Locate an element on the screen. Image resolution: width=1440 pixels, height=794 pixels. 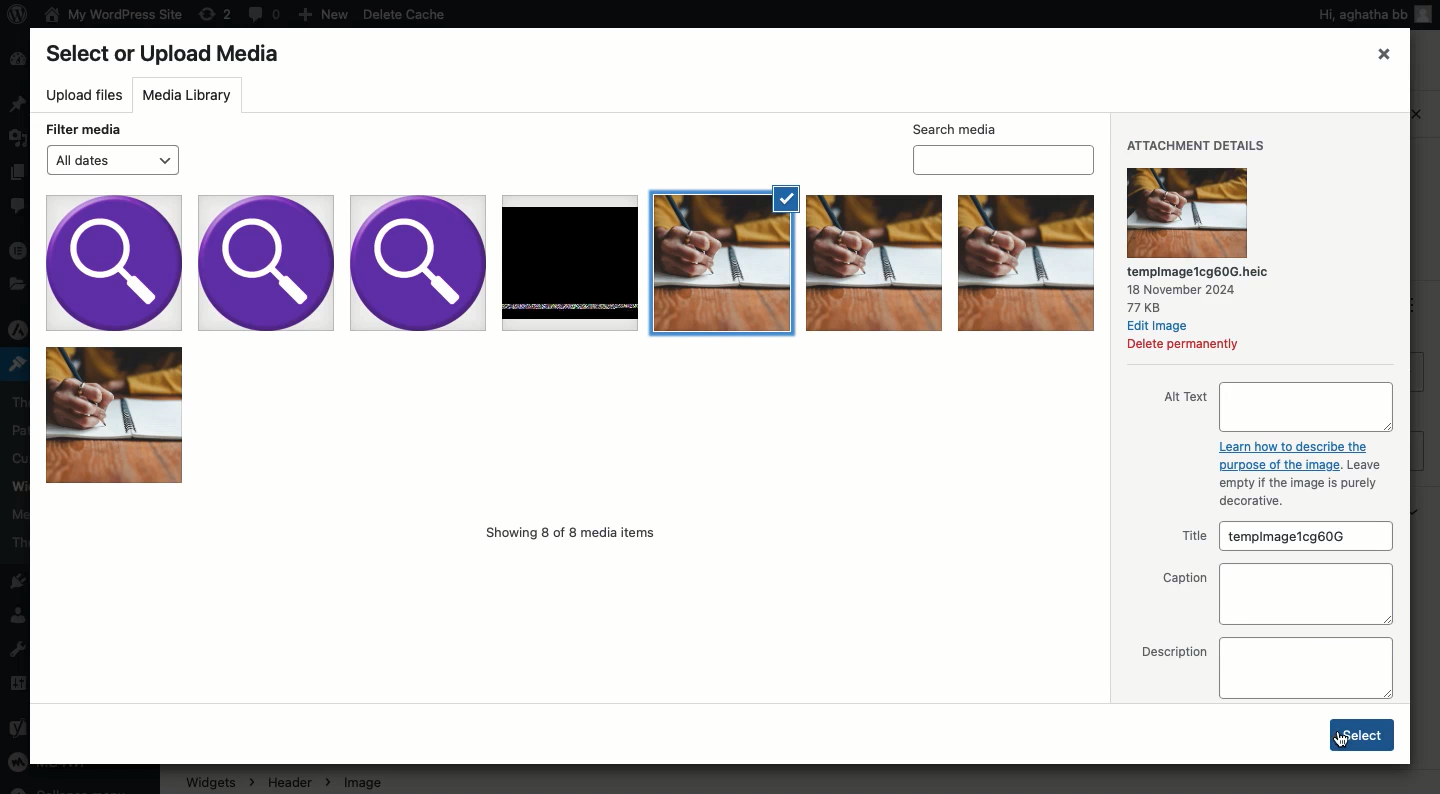
Cursor is located at coordinates (1339, 742).